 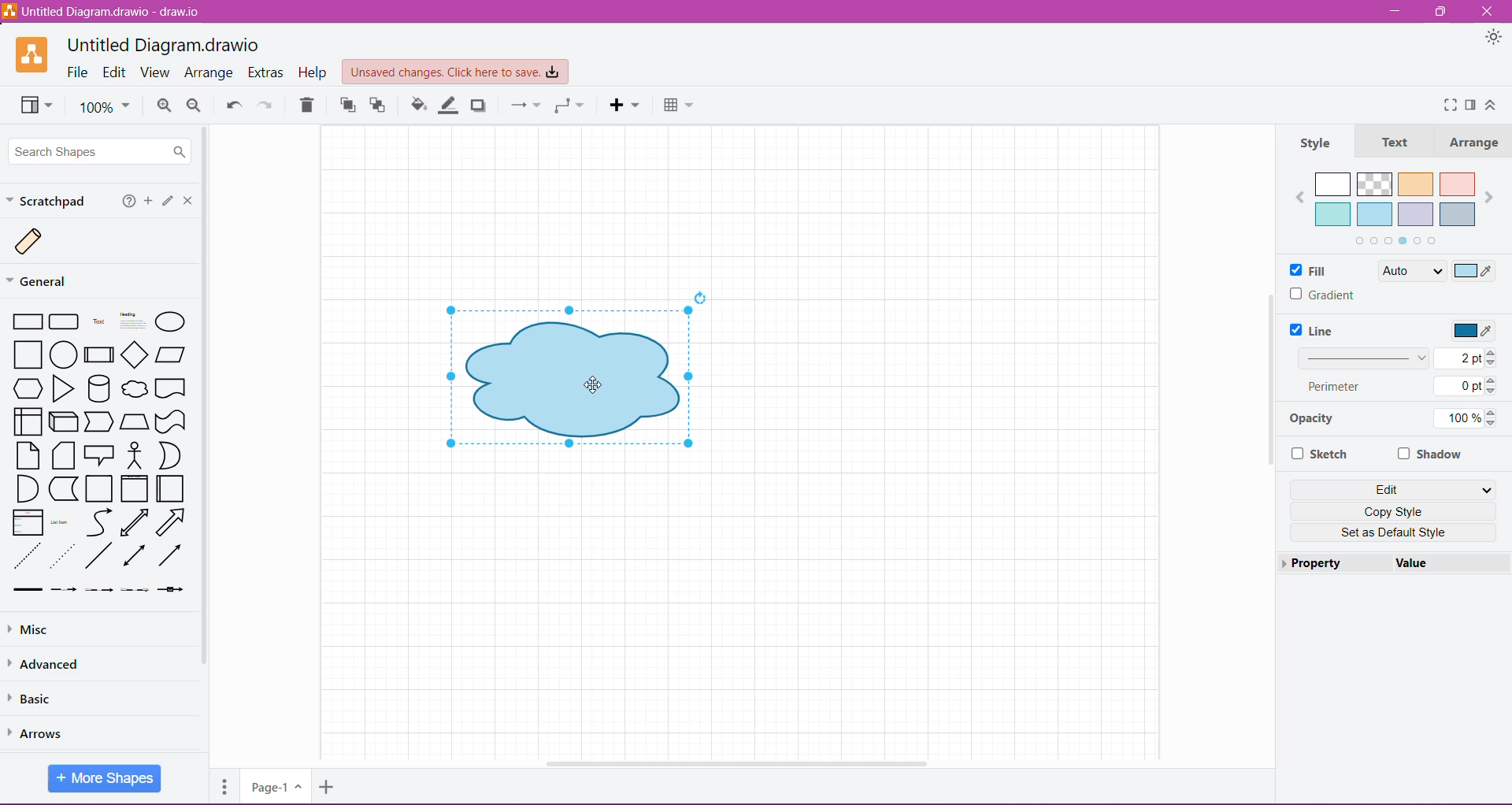 What do you see at coordinates (116, 72) in the screenshot?
I see `Edit` at bounding box center [116, 72].